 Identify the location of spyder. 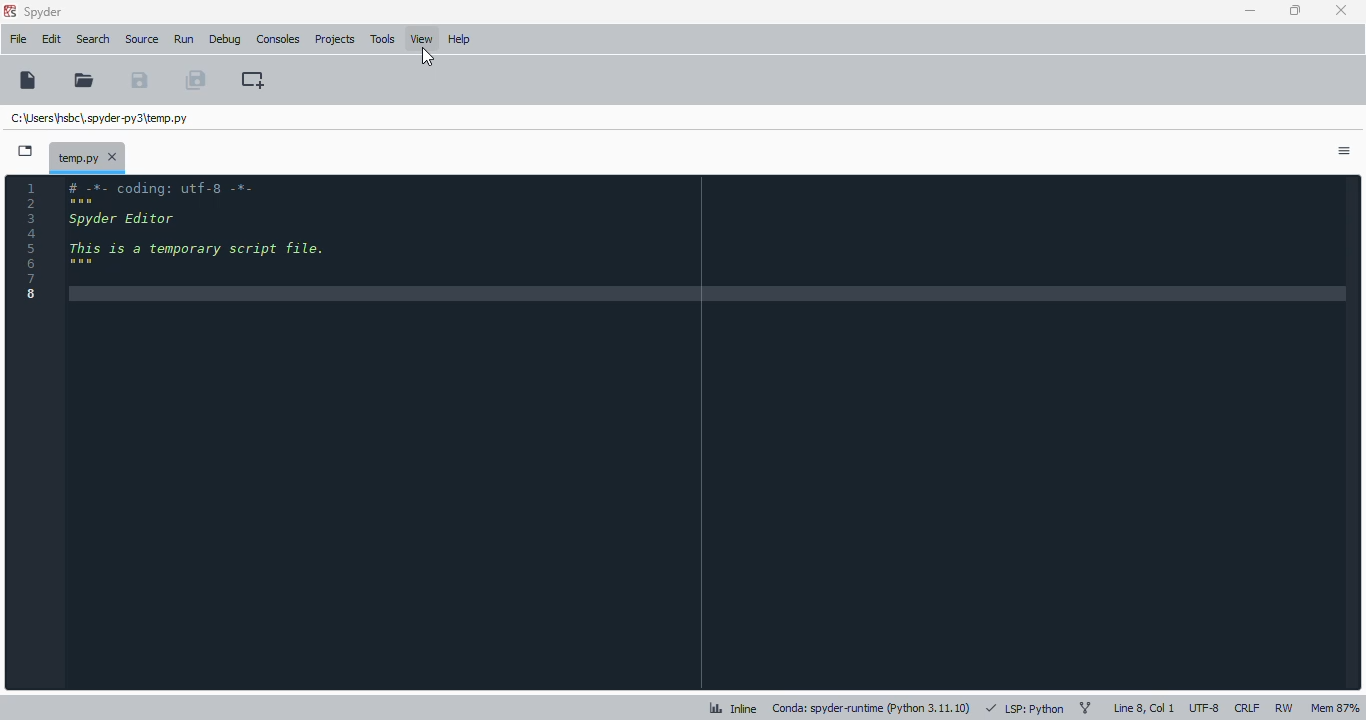
(43, 12).